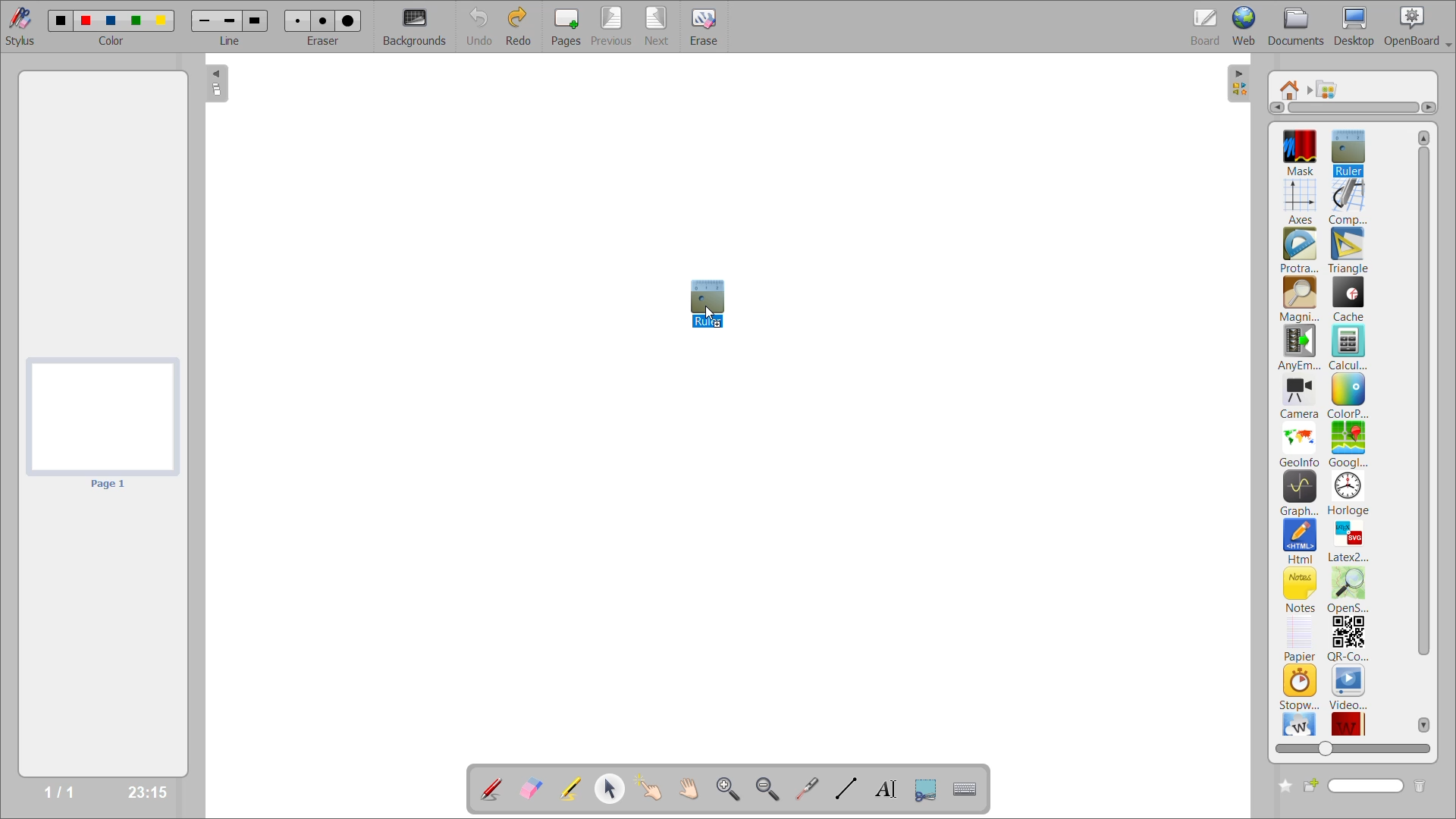  Describe the element at coordinates (324, 40) in the screenshot. I see `eraser` at that location.